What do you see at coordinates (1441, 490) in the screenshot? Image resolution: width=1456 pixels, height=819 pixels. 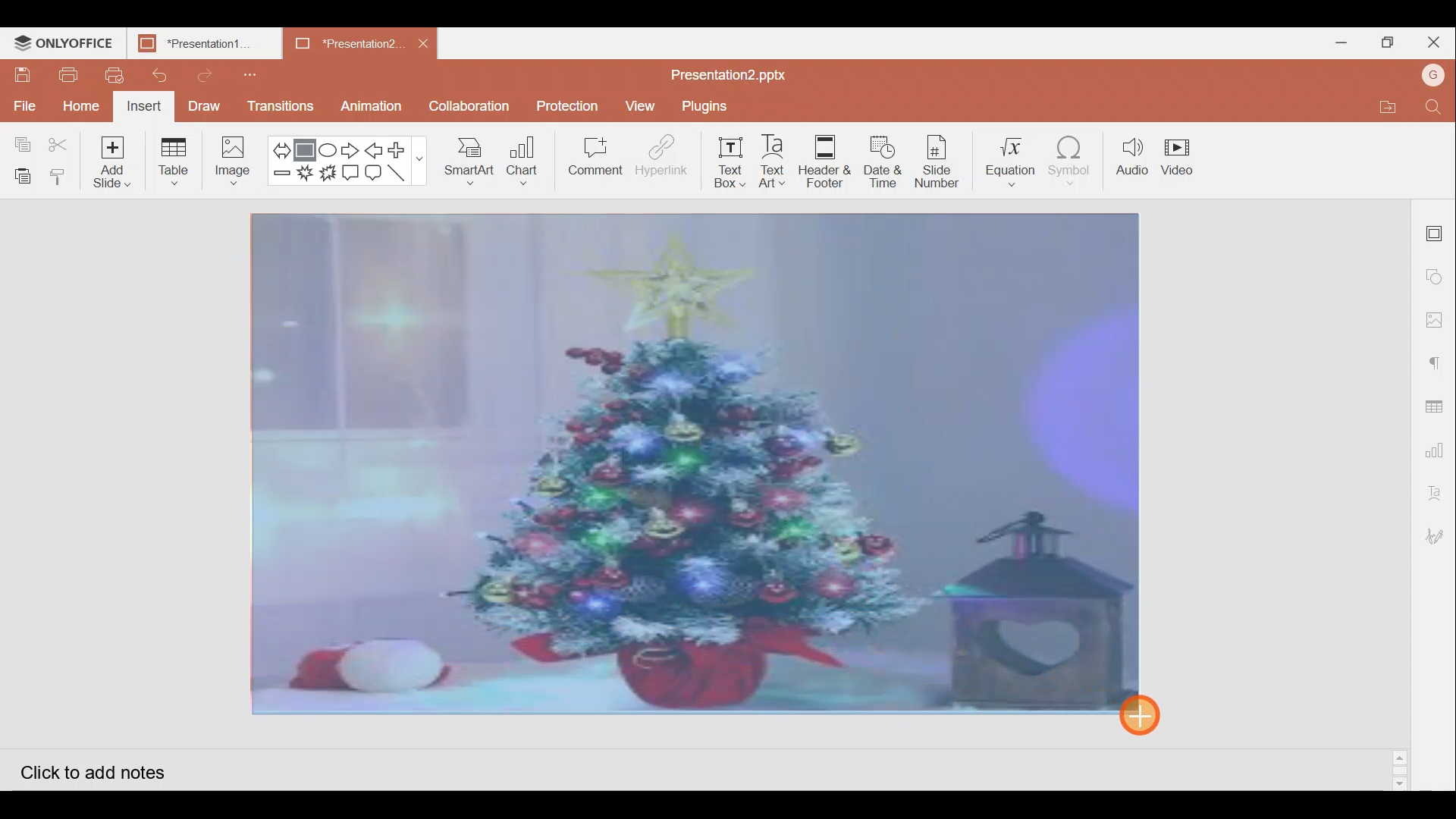 I see `Text Art settings` at bounding box center [1441, 490].